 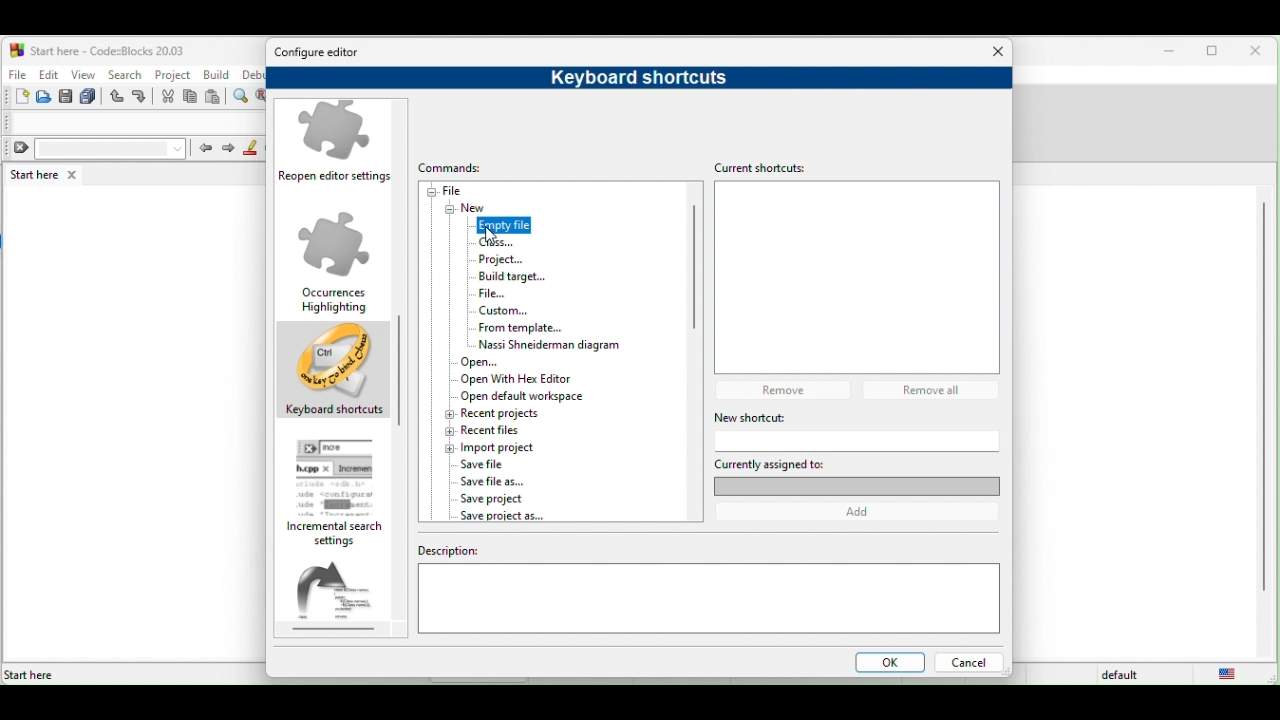 I want to click on reopen editor settings, so click(x=338, y=145).